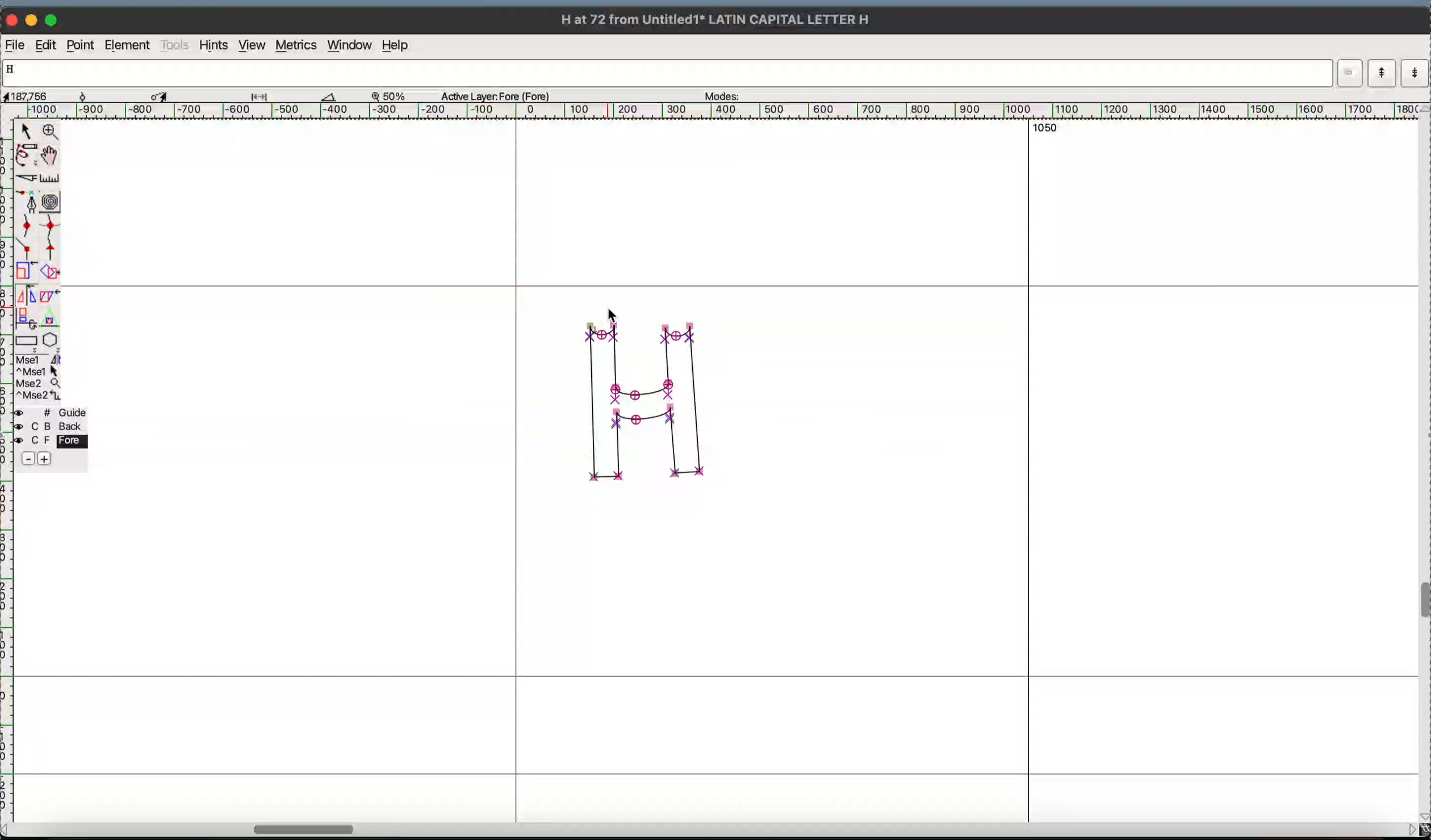 The width and height of the screenshot is (1431, 840). I want to click on zoom, so click(51, 131).